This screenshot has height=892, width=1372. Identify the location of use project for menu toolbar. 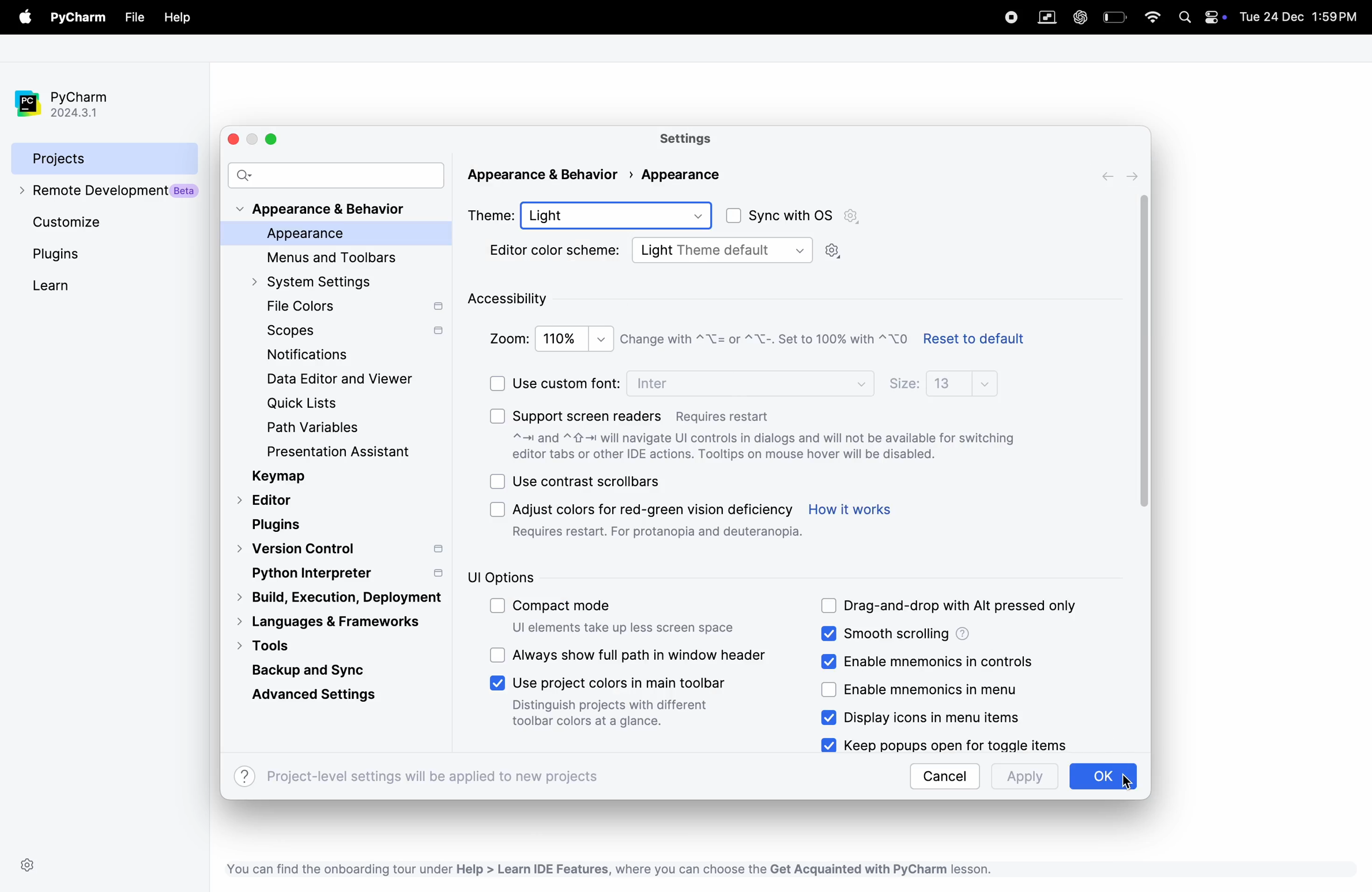
(619, 683).